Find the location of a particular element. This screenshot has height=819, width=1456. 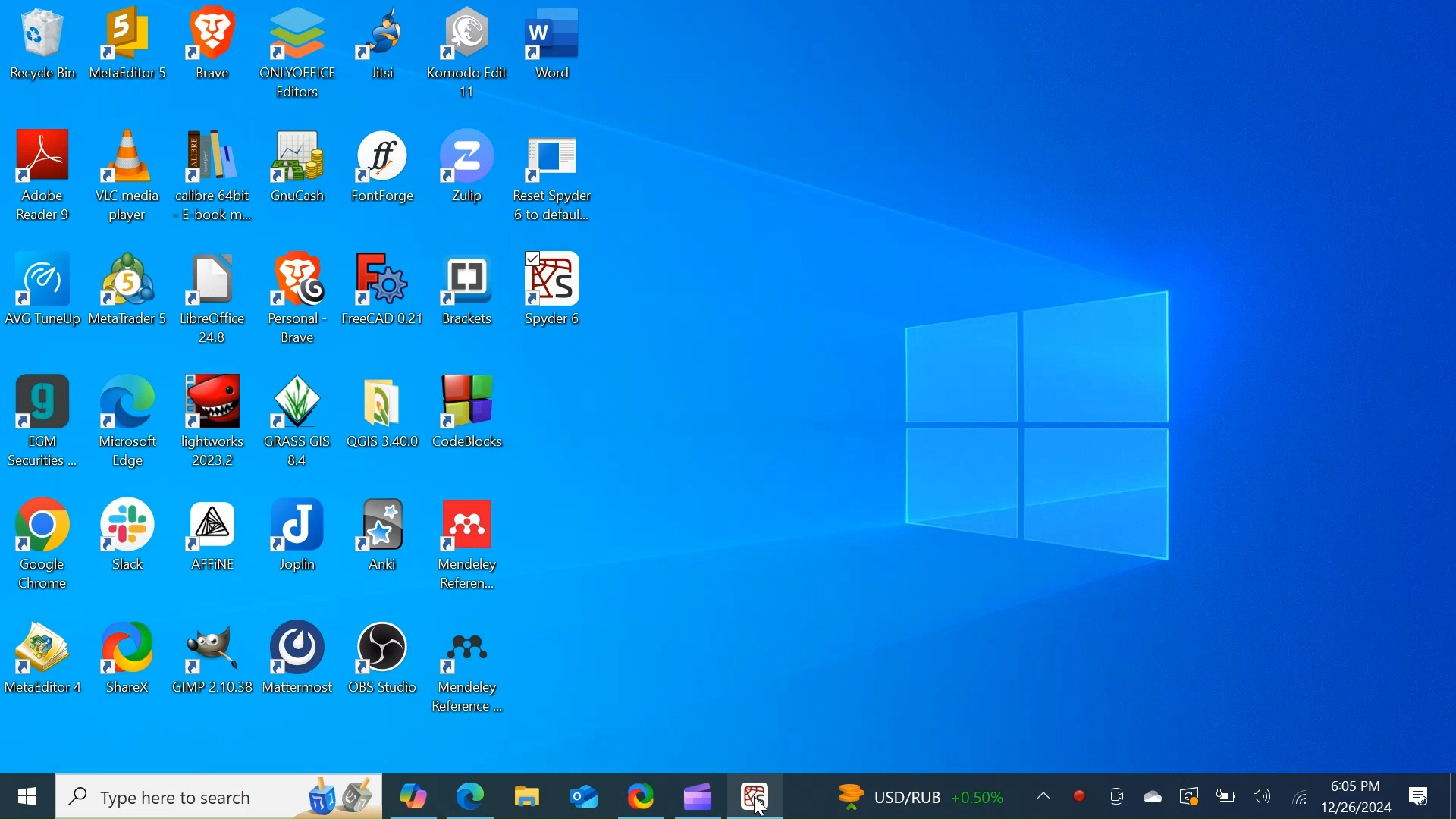

Microsoft Edge Desktop Icon is located at coordinates (469, 796).